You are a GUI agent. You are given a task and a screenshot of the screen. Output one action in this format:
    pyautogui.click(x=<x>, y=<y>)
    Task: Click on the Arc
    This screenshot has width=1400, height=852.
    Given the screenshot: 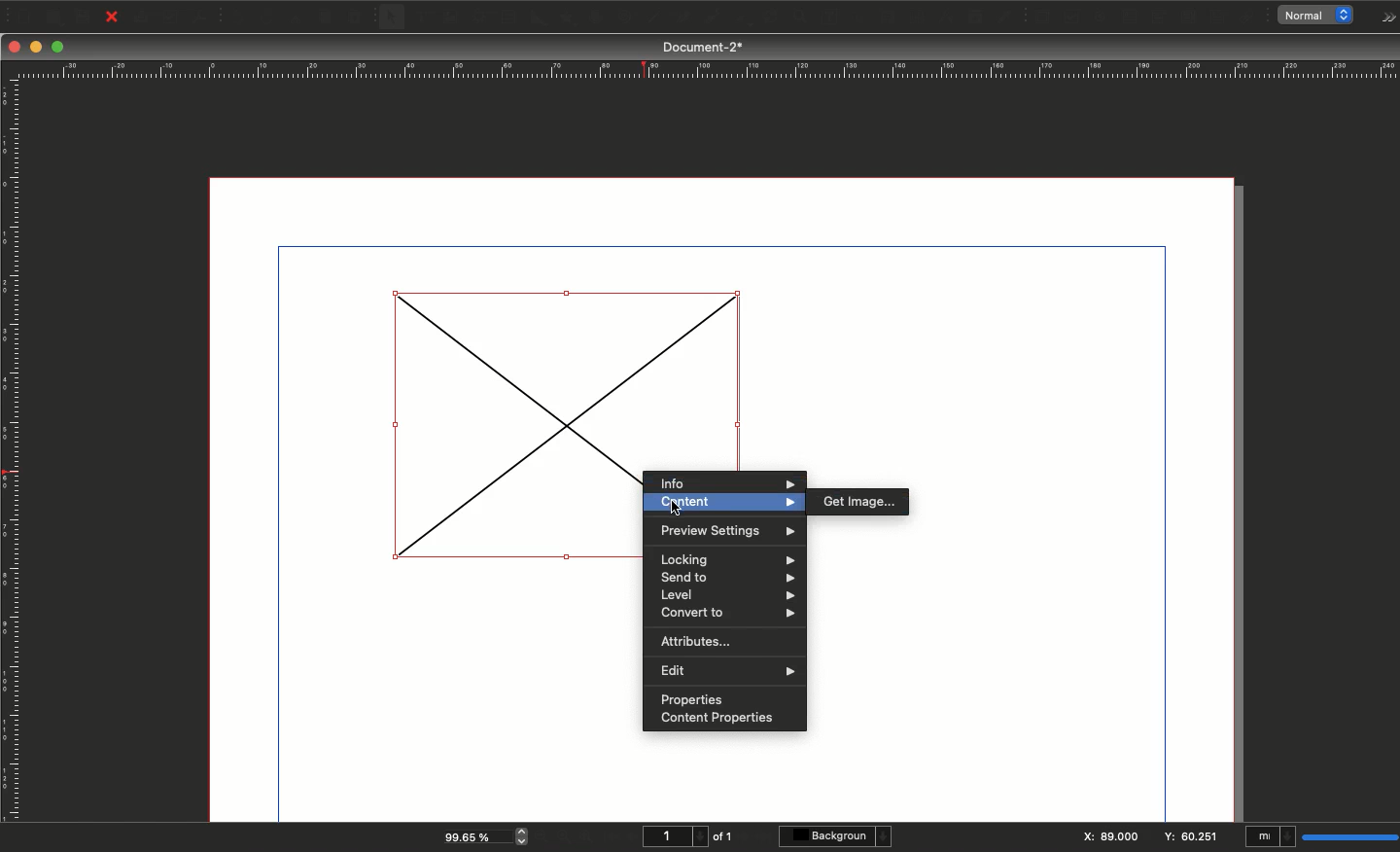 What is the action you would take?
    pyautogui.click(x=595, y=18)
    